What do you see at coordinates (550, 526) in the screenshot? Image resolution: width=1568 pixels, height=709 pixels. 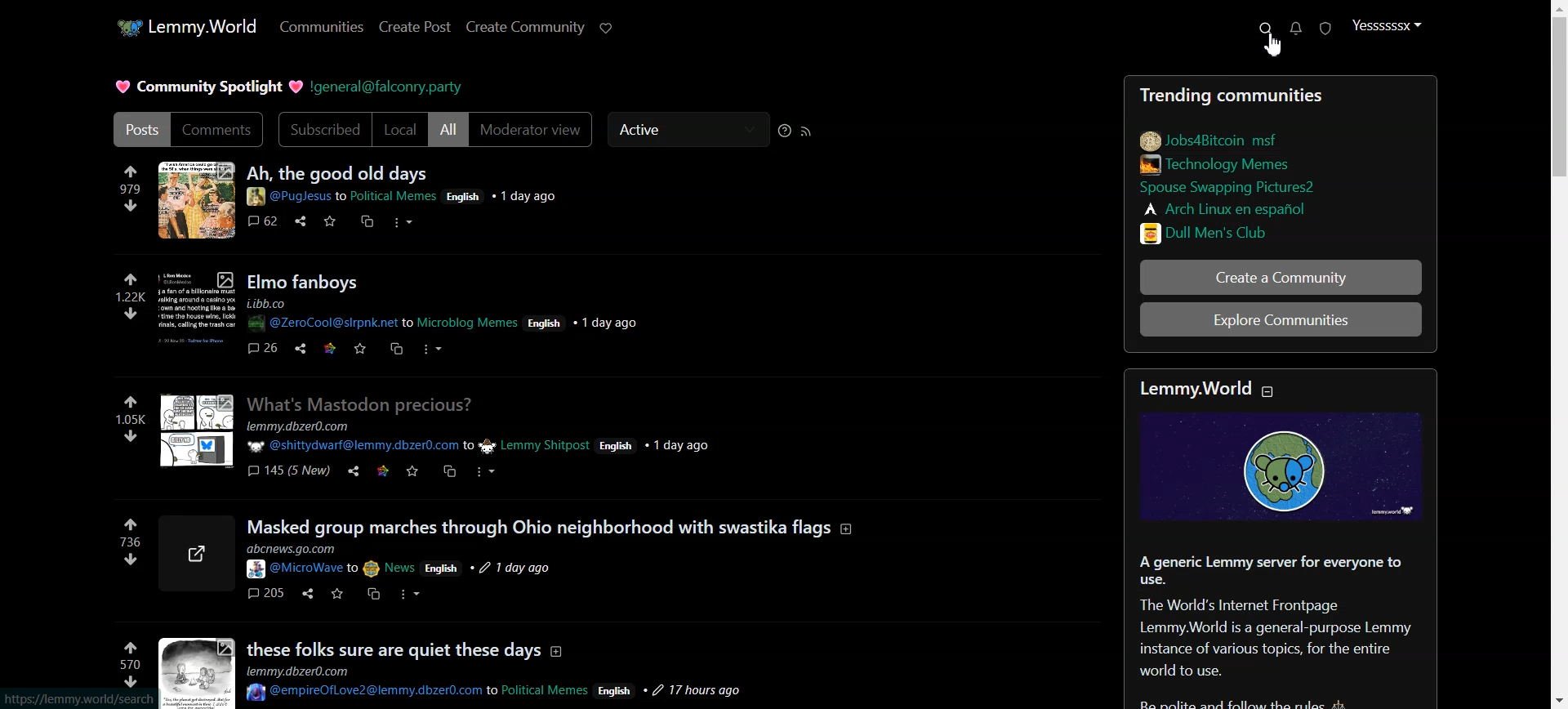 I see `post` at bounding box center [550, 526].